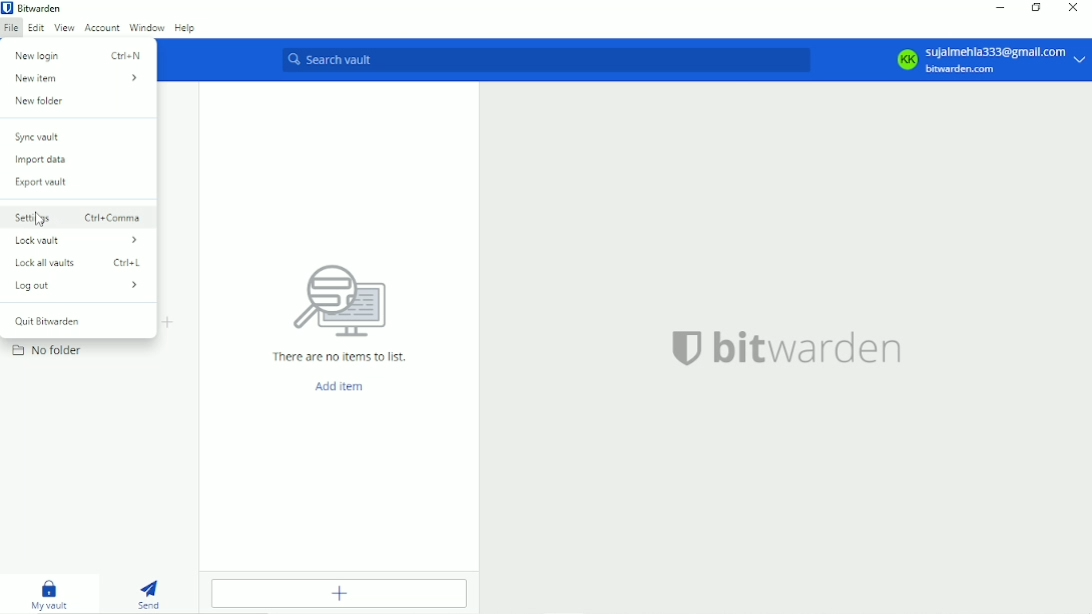 The image size is (1092, 614). I want to click on New item, so click(76, 79).